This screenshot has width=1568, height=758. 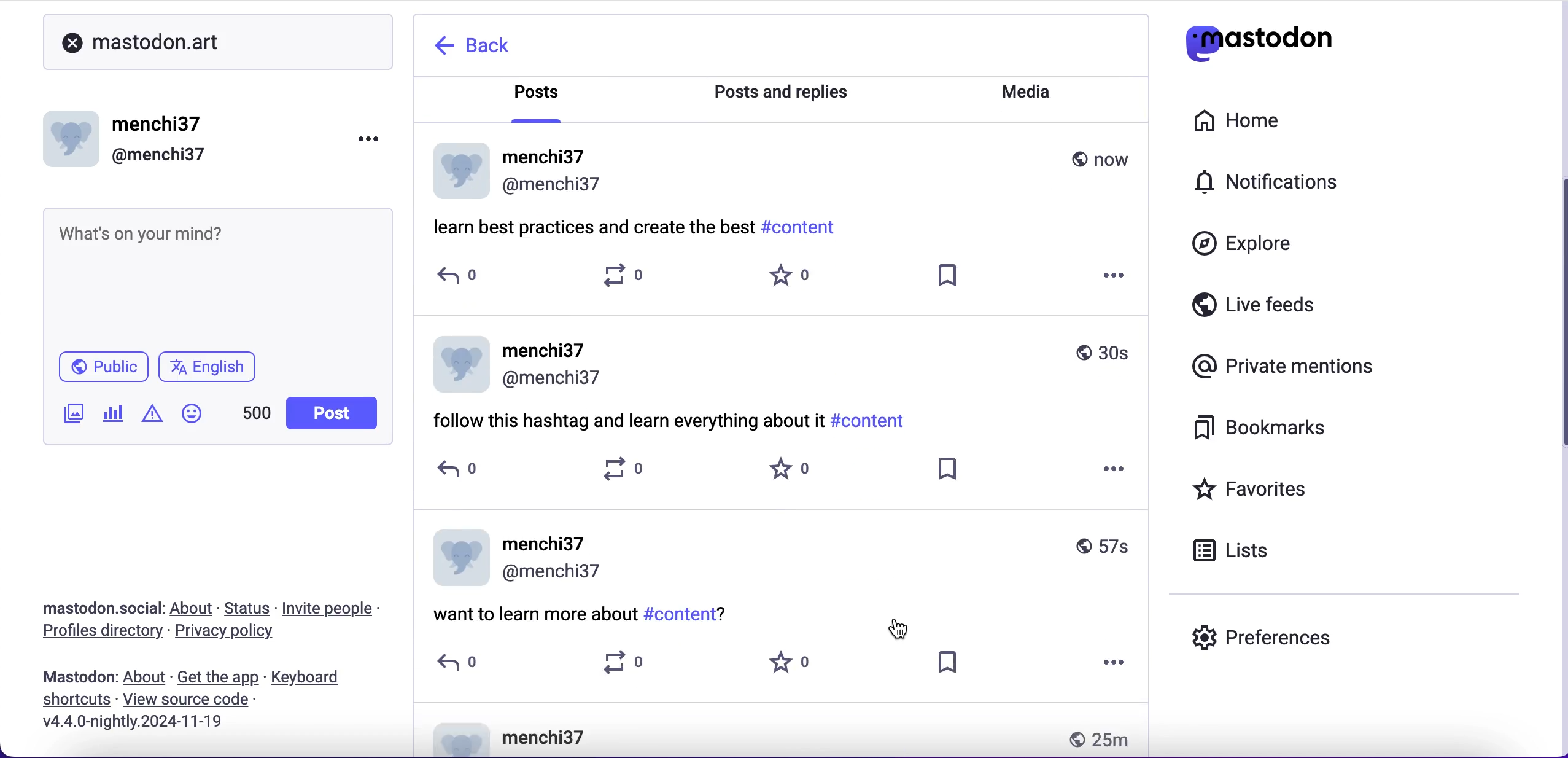 What do you see at coordinates (1030, 92) in the screenshot?
I see `media` at bounding box center [1030, 92].